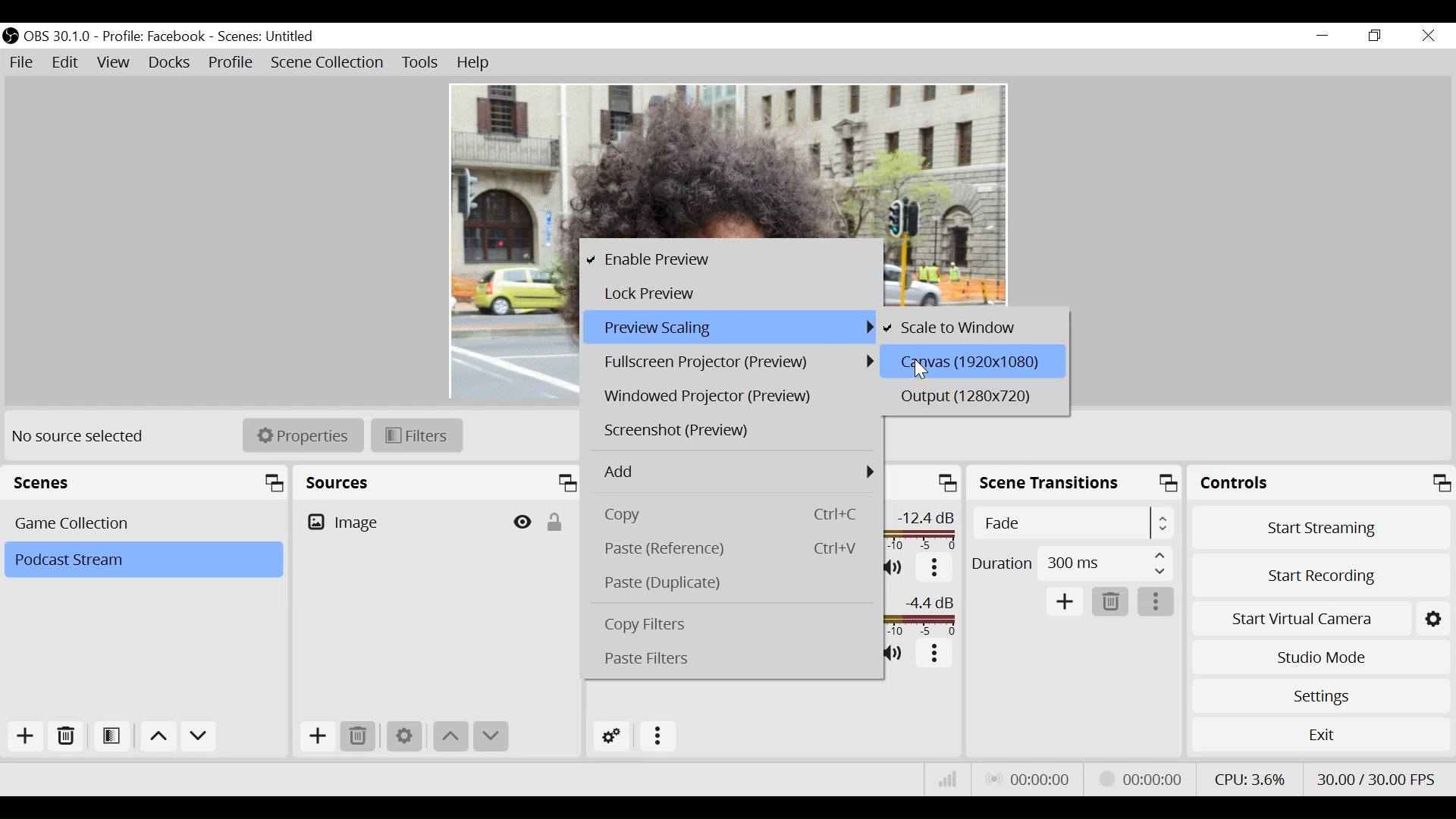 This screenshot has width=1456, height=819. Describe the element at coordinates (406, 739) in the screenshot. I see `Settings` at that location.